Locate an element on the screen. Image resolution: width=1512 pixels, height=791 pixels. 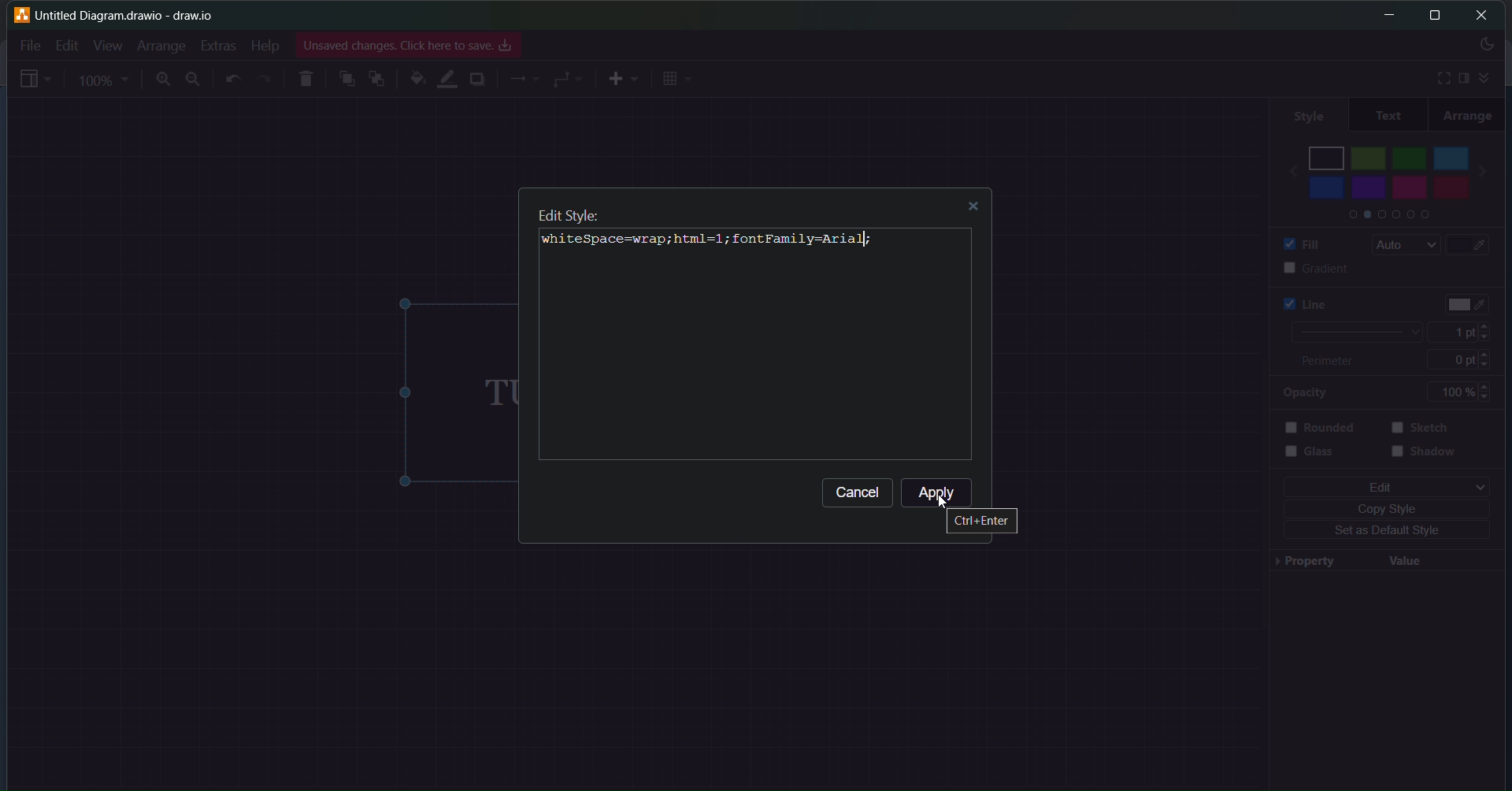
purple is located at coordinates (1371, 188).